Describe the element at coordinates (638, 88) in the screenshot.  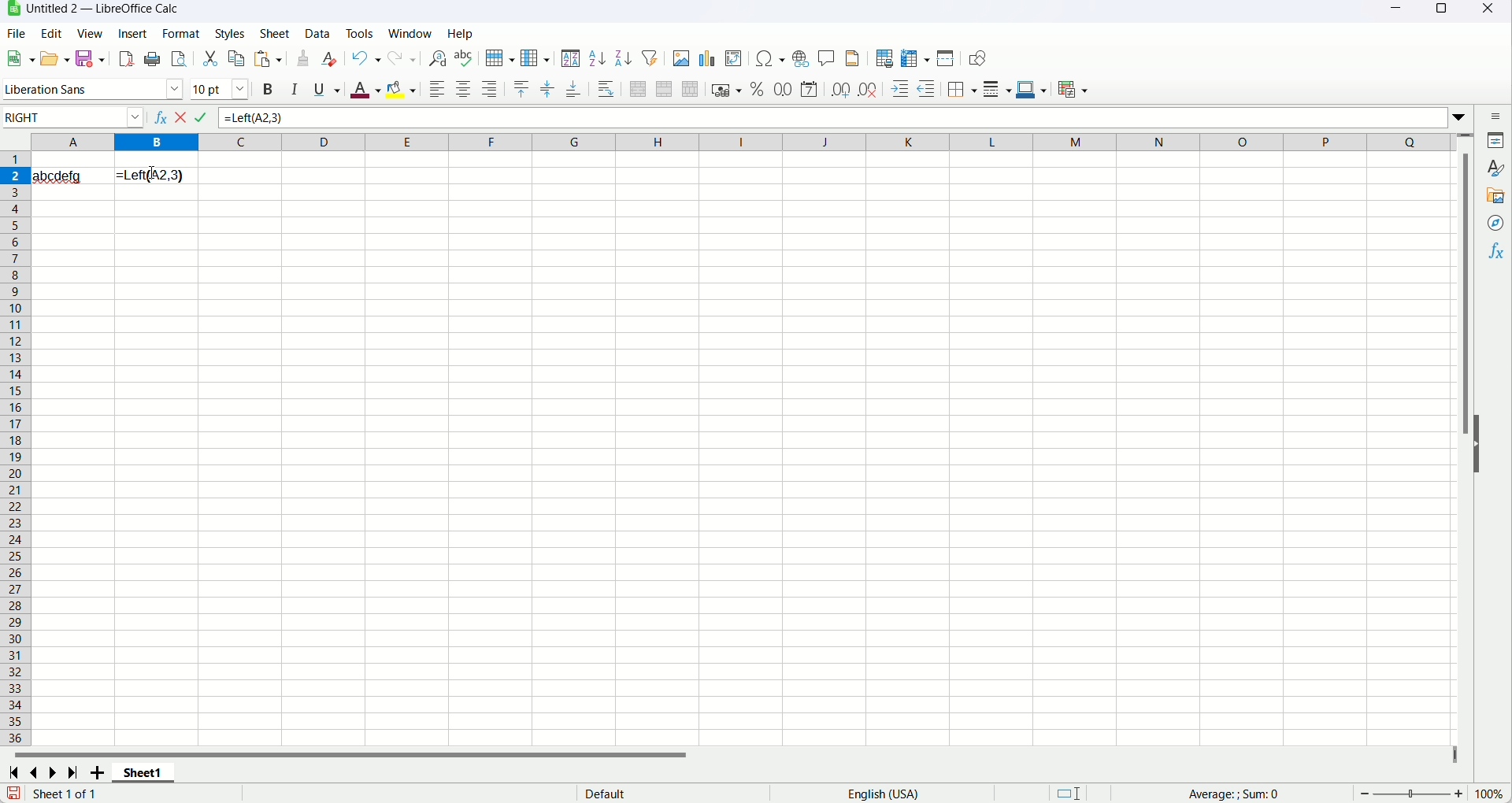
I see `merge and center` at that location.